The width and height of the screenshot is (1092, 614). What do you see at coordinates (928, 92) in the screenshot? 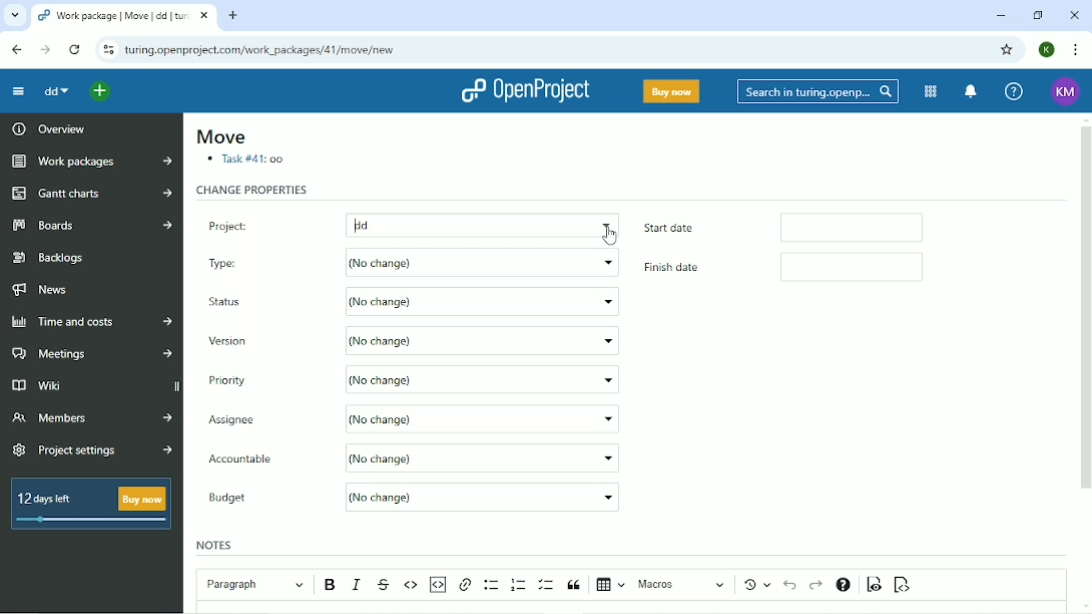
I see `Modules` at bounding box center [928, 92].